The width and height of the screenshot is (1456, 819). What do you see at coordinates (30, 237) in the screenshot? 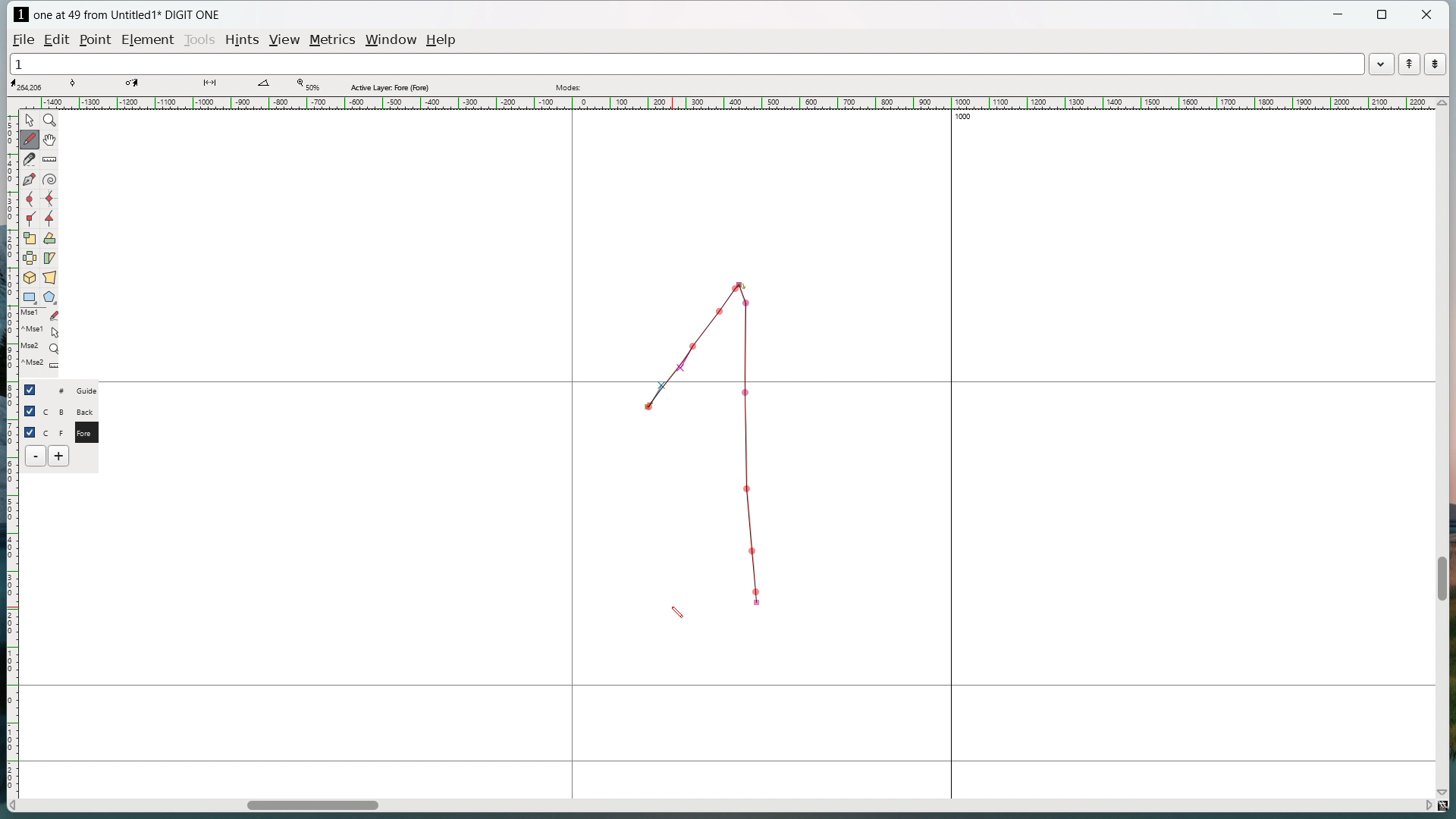
I see `scale` at bounding box center [30, 237].